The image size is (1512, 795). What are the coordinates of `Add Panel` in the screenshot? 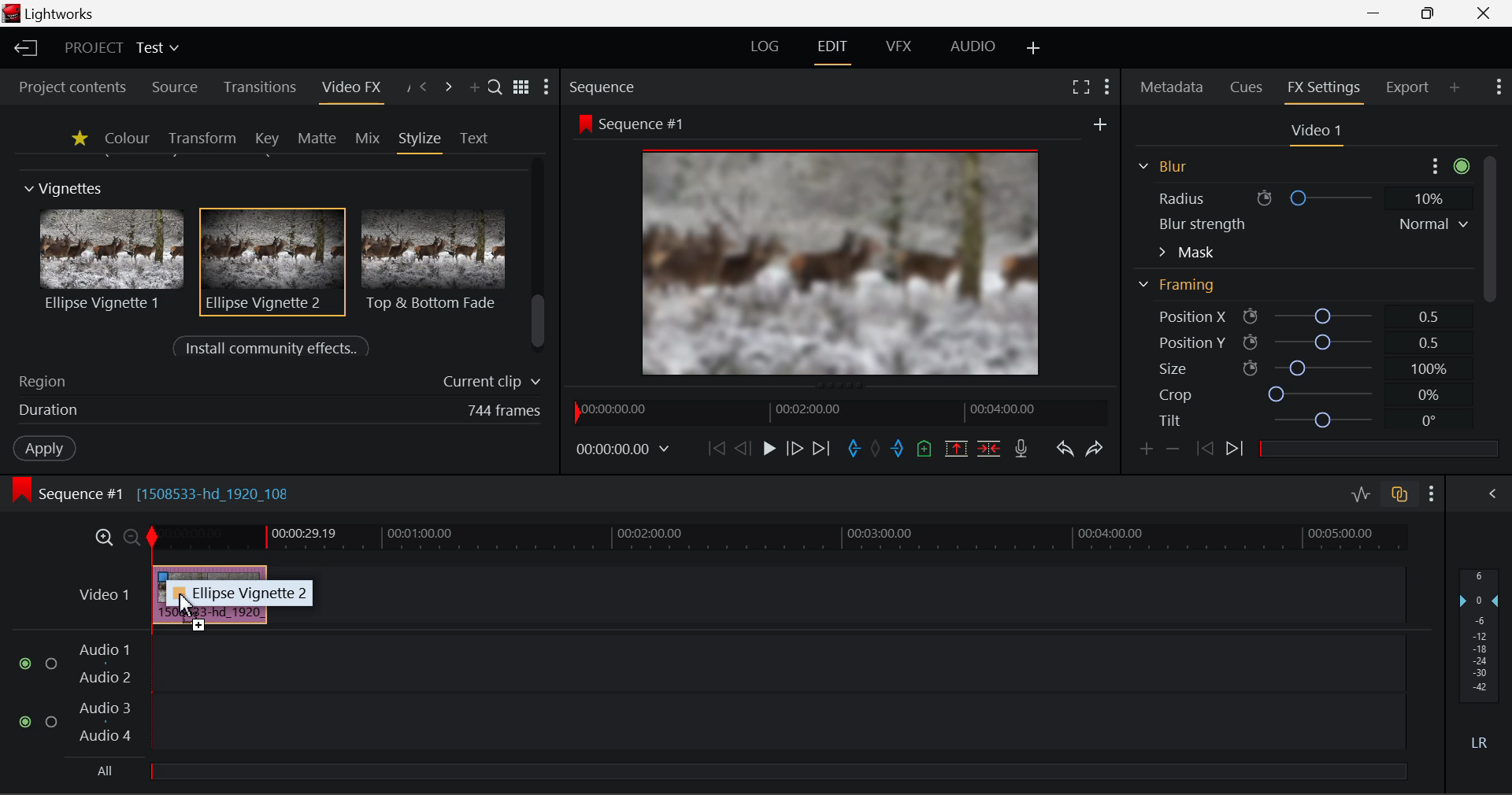 It's located at (1455, 89).